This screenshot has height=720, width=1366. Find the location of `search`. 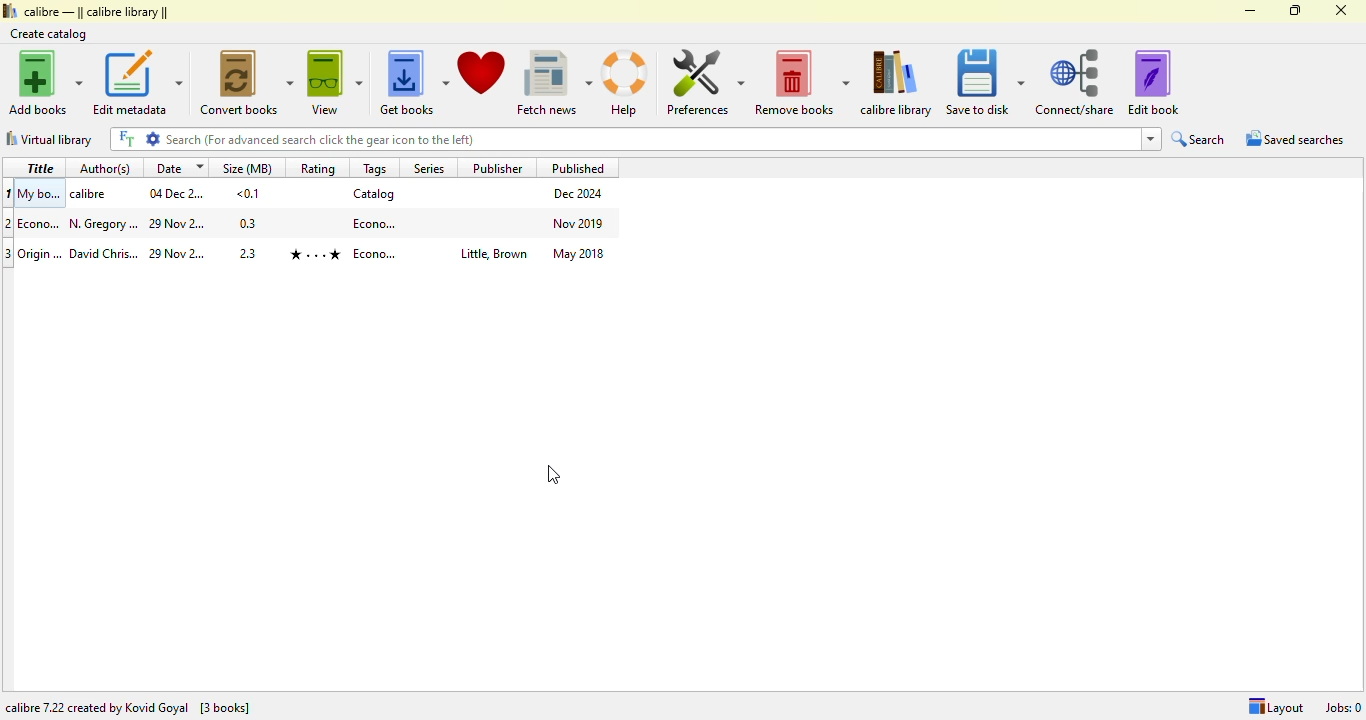

search is located at coordinates (636, 139).